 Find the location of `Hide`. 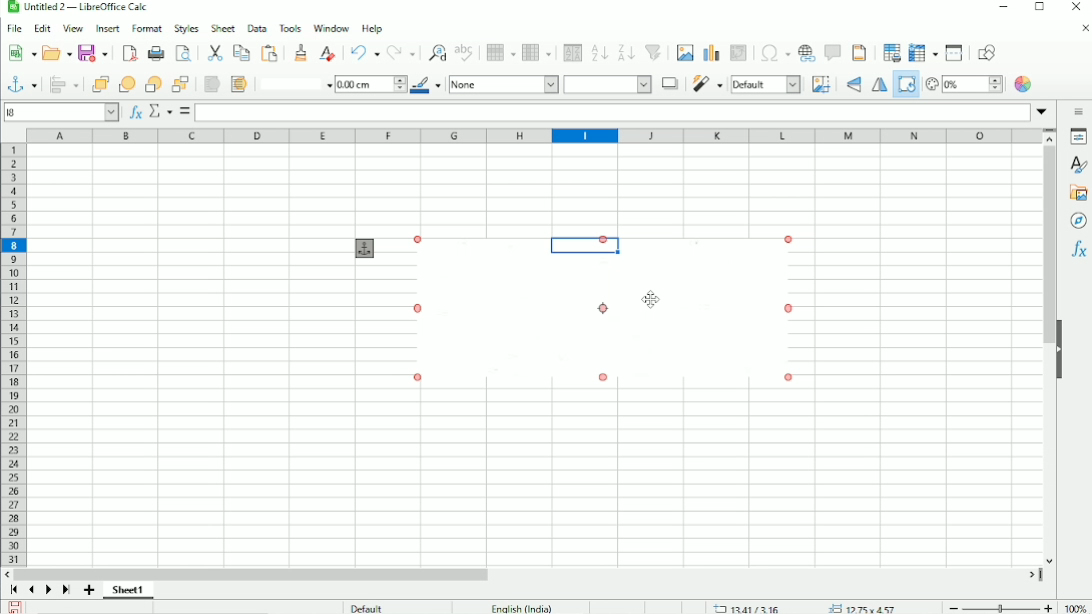

Hide is located at coordinates (1061, 348).